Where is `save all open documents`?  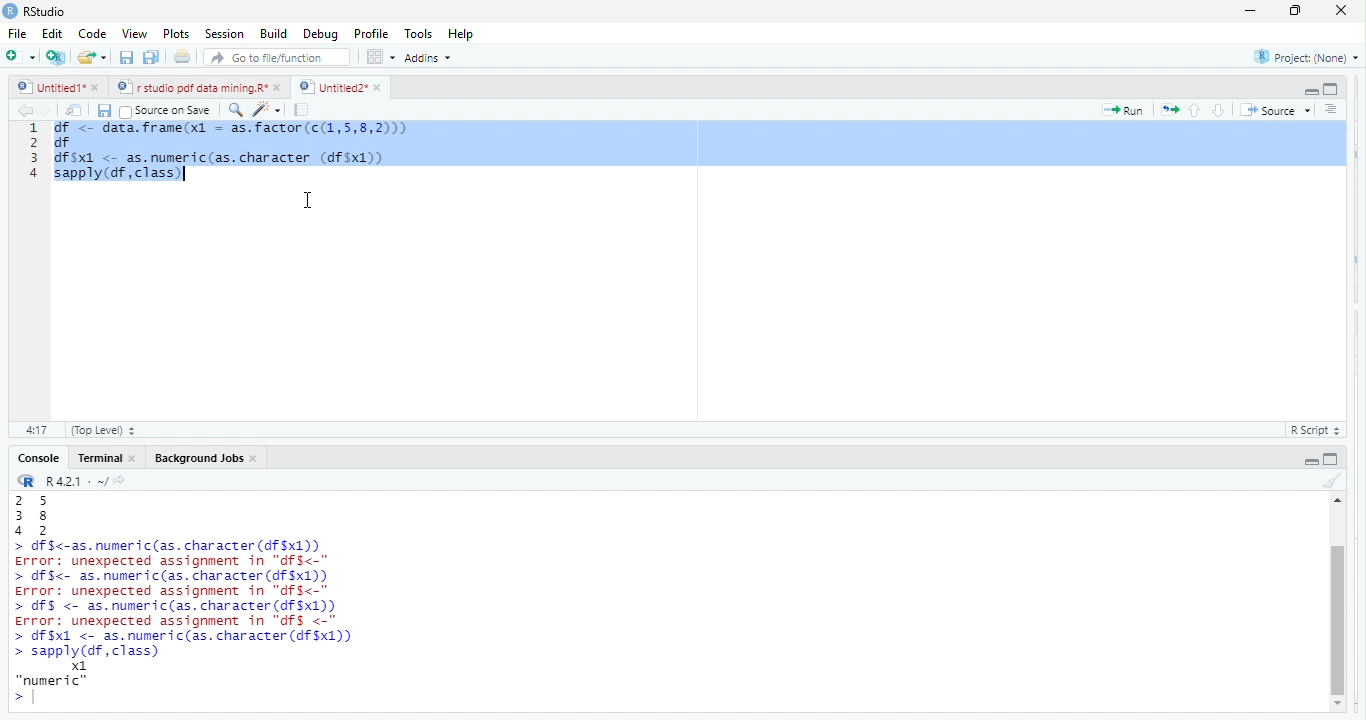
save all open documents is located at coordinates (149, 57).